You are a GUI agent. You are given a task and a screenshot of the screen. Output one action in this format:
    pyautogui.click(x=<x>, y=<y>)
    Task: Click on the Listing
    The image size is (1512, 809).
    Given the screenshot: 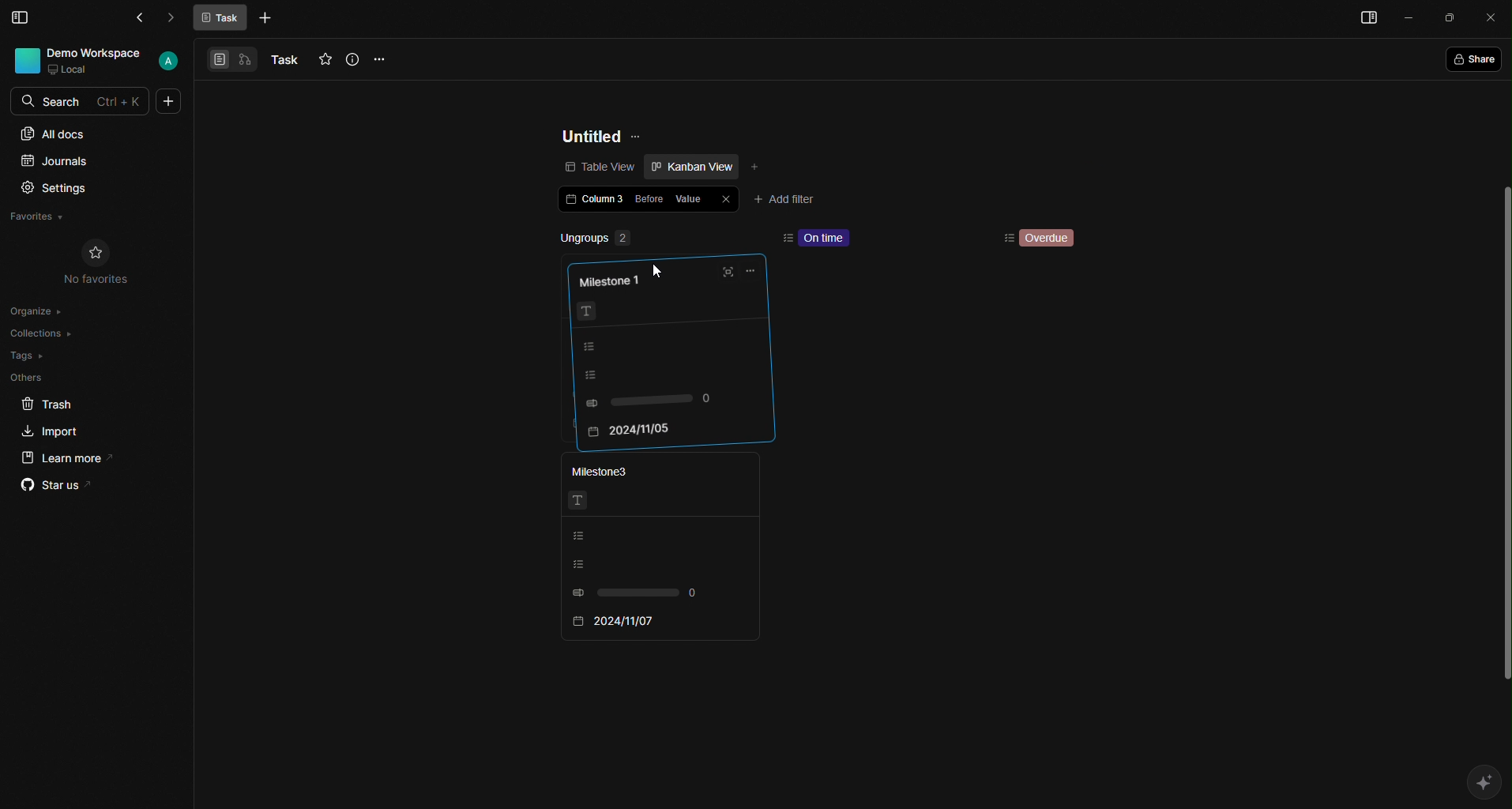 What is the action you would take?
    pyautogui.click(x=586, y=369)
    